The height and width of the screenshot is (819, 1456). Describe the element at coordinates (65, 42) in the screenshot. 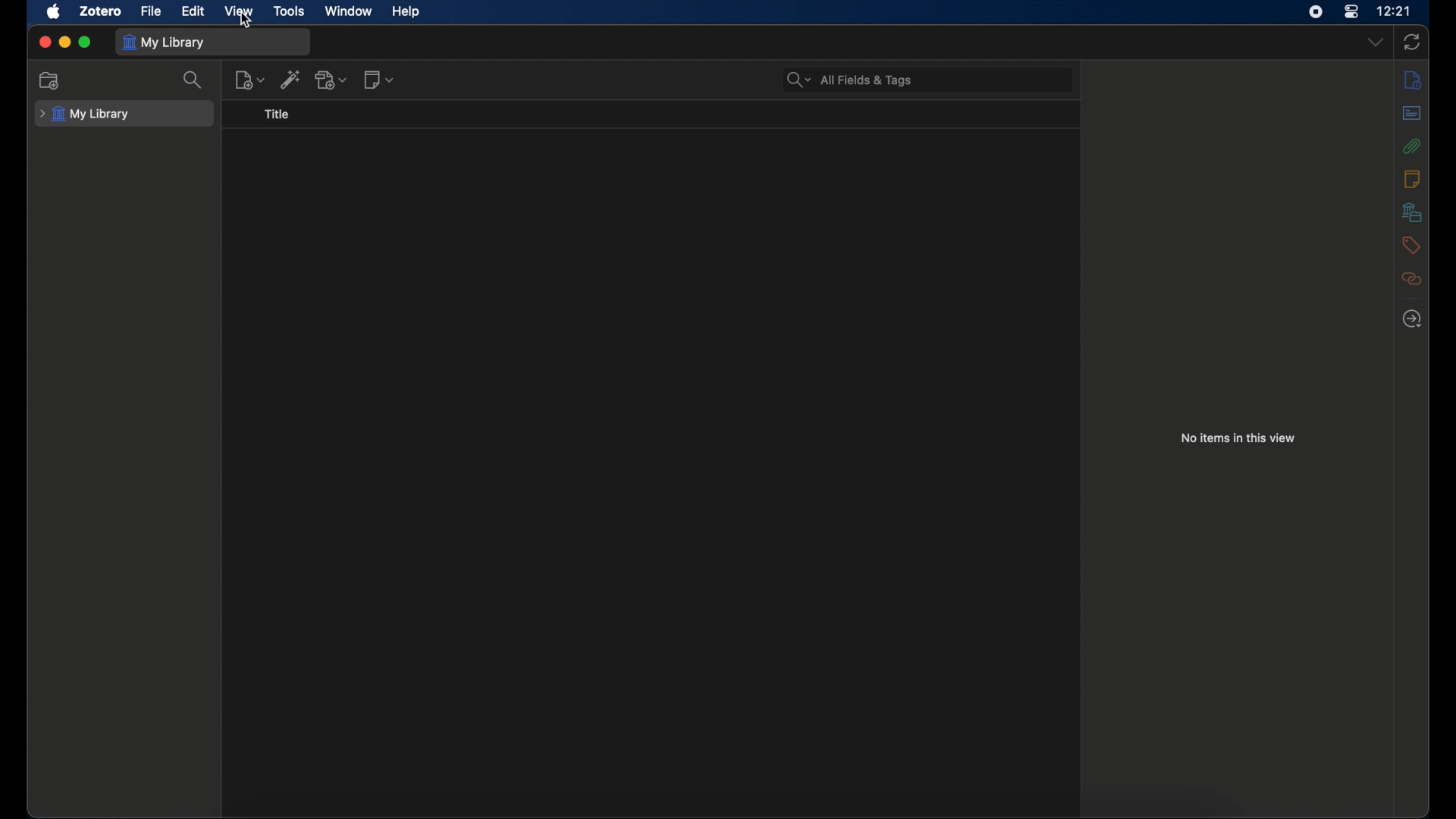

I see `minimize` at that location.